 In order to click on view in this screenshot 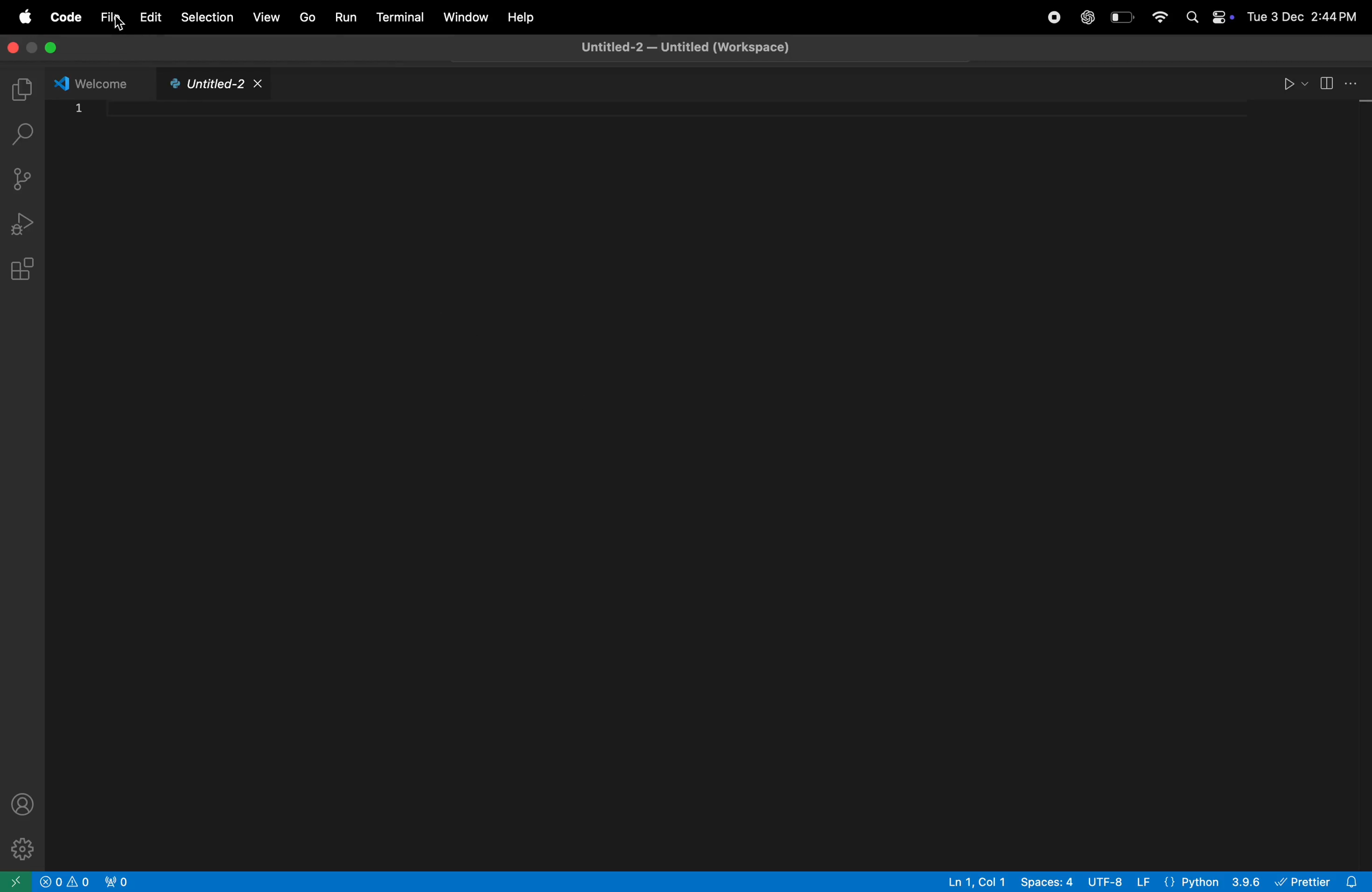, I will do `click(268, 17)`.